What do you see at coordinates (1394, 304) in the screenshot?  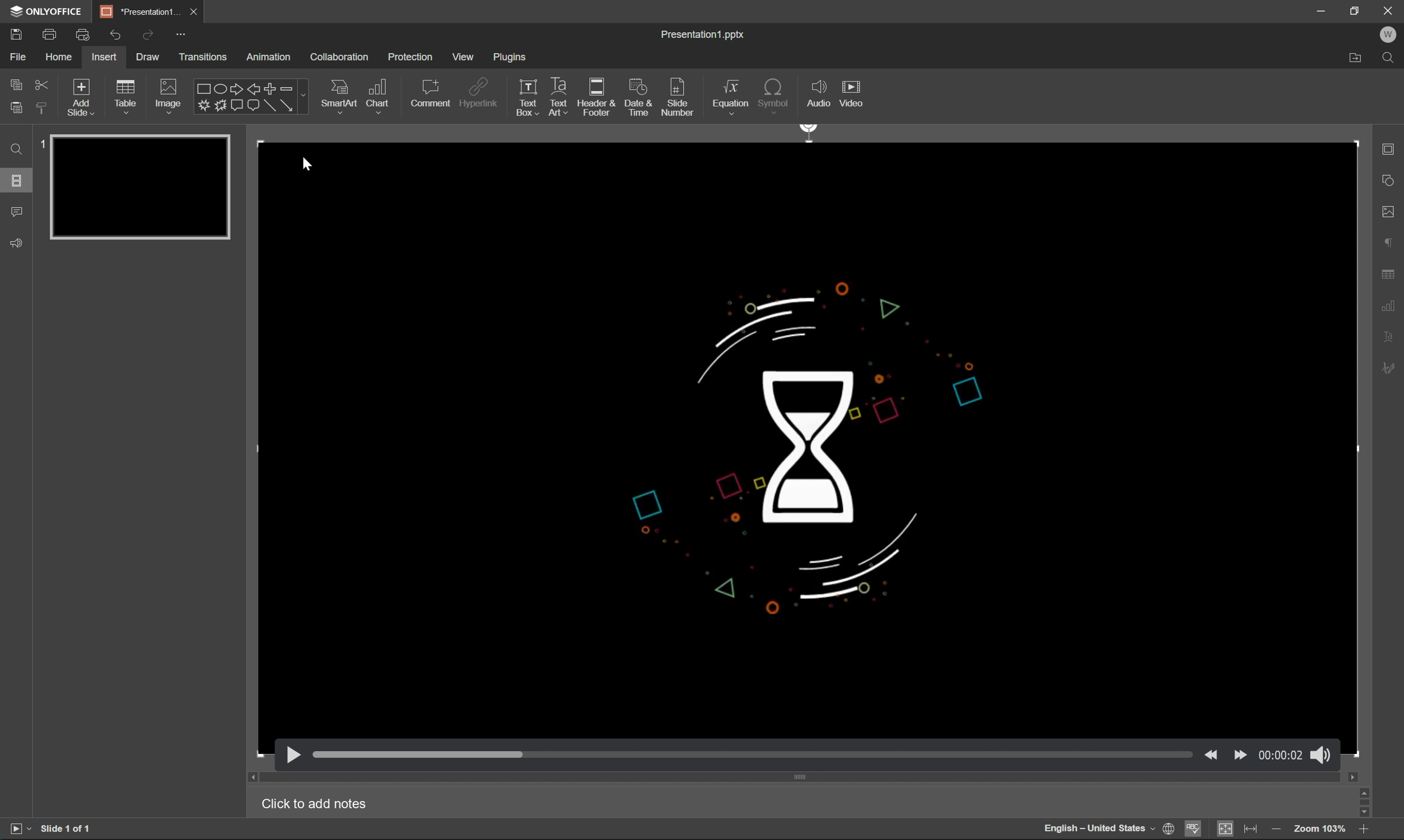 I see `chart settings` at bounding box center [1394, 304].